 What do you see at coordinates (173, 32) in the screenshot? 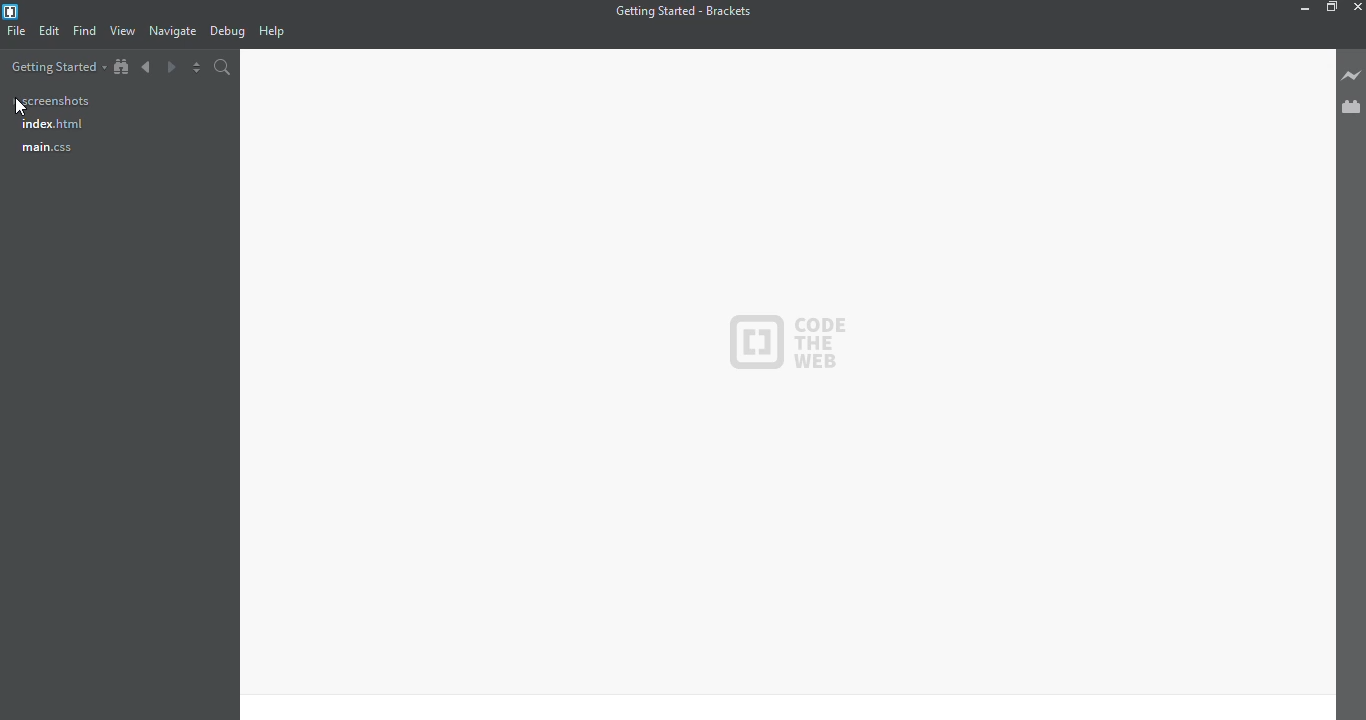
I see `navigate` at bounding box center [173, 32].